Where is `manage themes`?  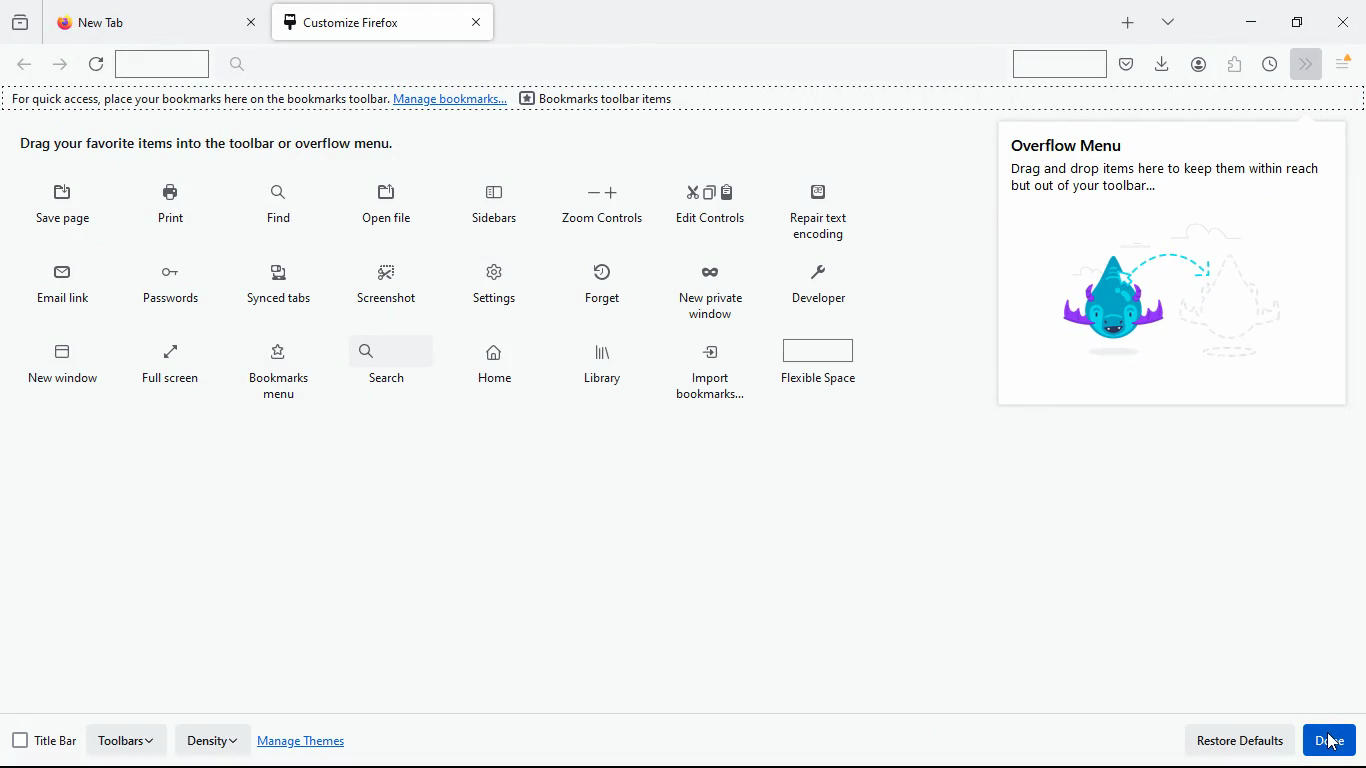
manage themes is located at coordinates (309, 742).